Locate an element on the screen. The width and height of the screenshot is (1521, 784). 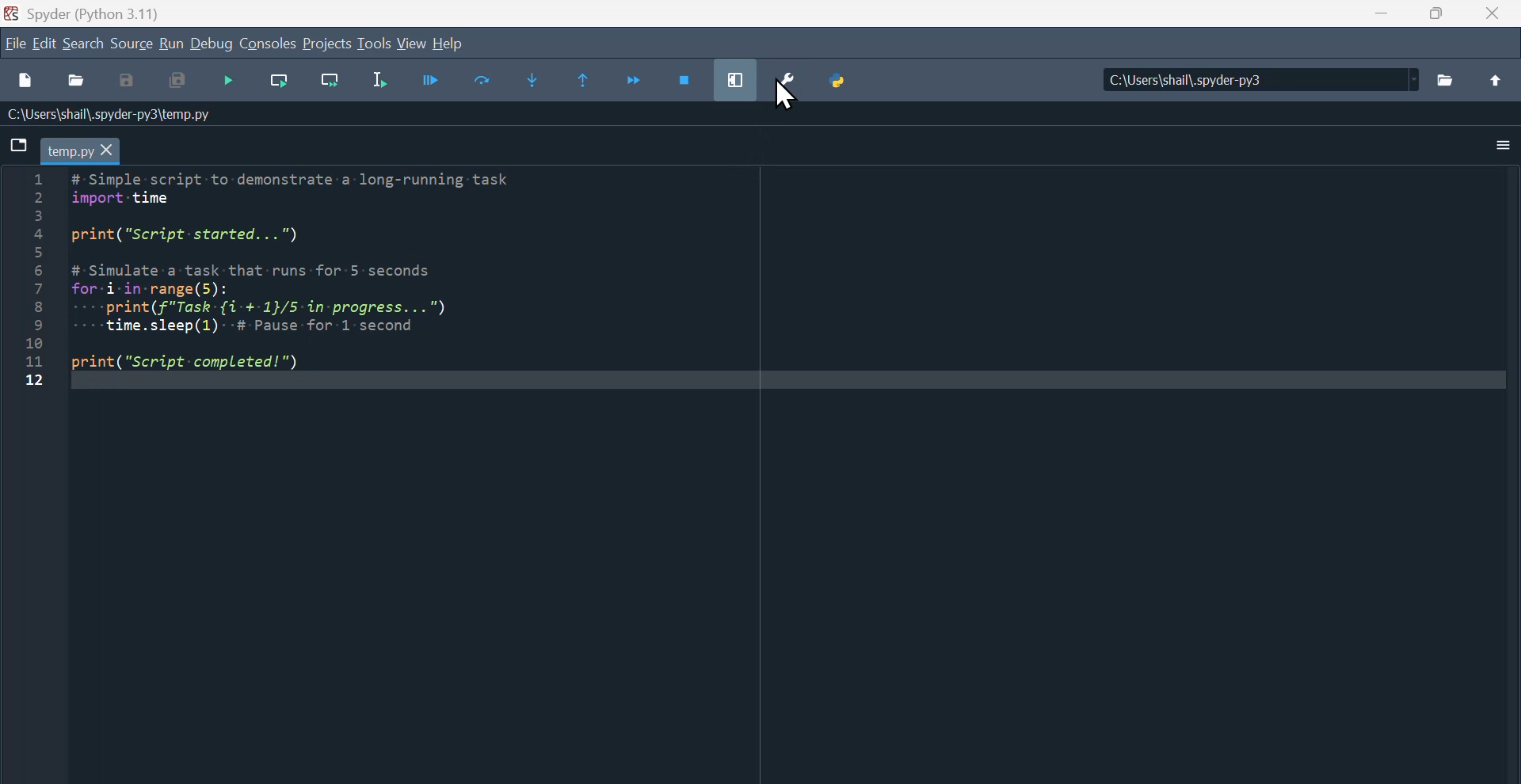
save all is located at coordinates (177, 82).